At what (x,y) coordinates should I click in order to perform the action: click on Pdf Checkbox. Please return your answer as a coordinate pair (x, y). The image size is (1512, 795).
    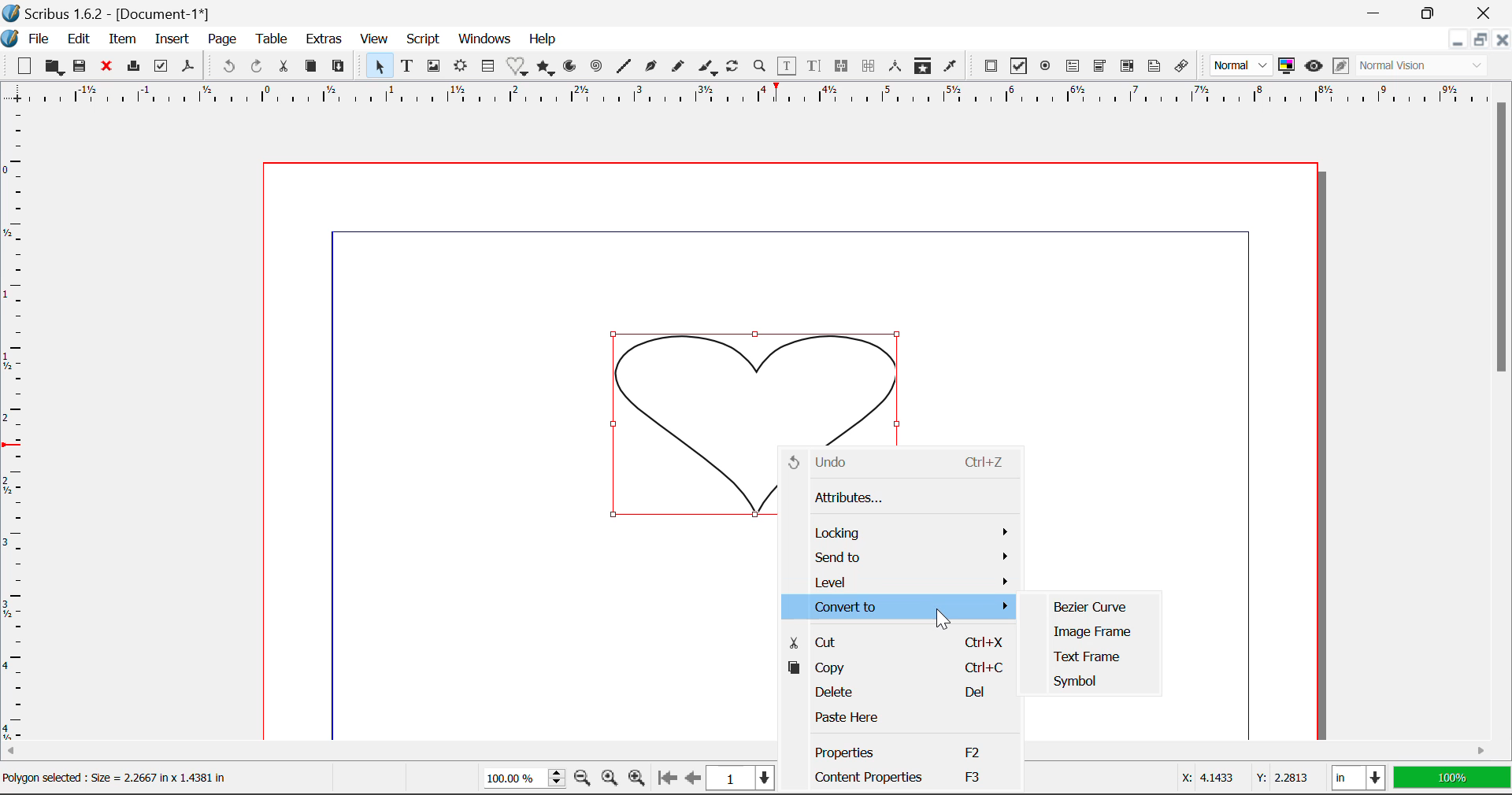
    Looking at the image, I should click on (1021, 68).